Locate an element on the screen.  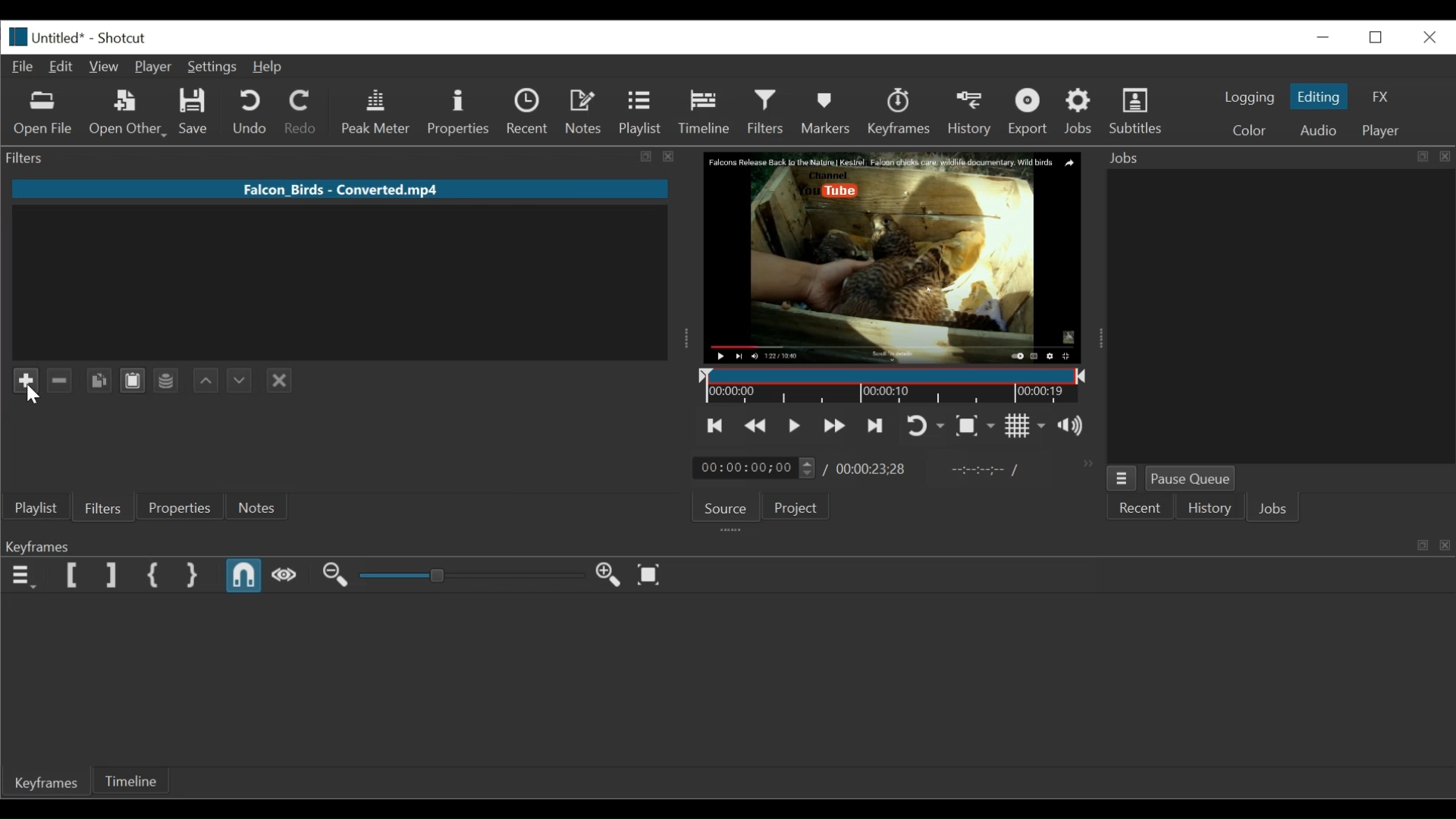
Filters is located at coordinates (105, 507).